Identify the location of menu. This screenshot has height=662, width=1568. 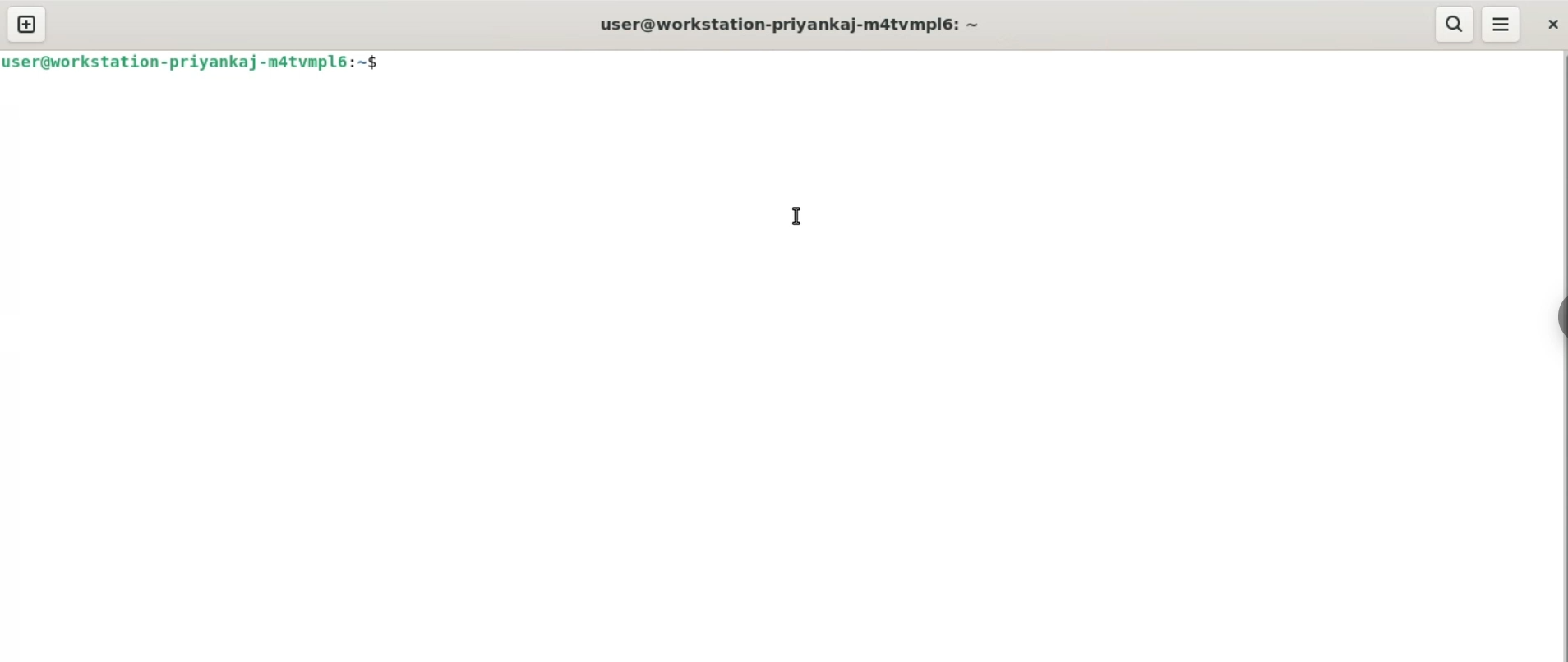
(1502, 25).